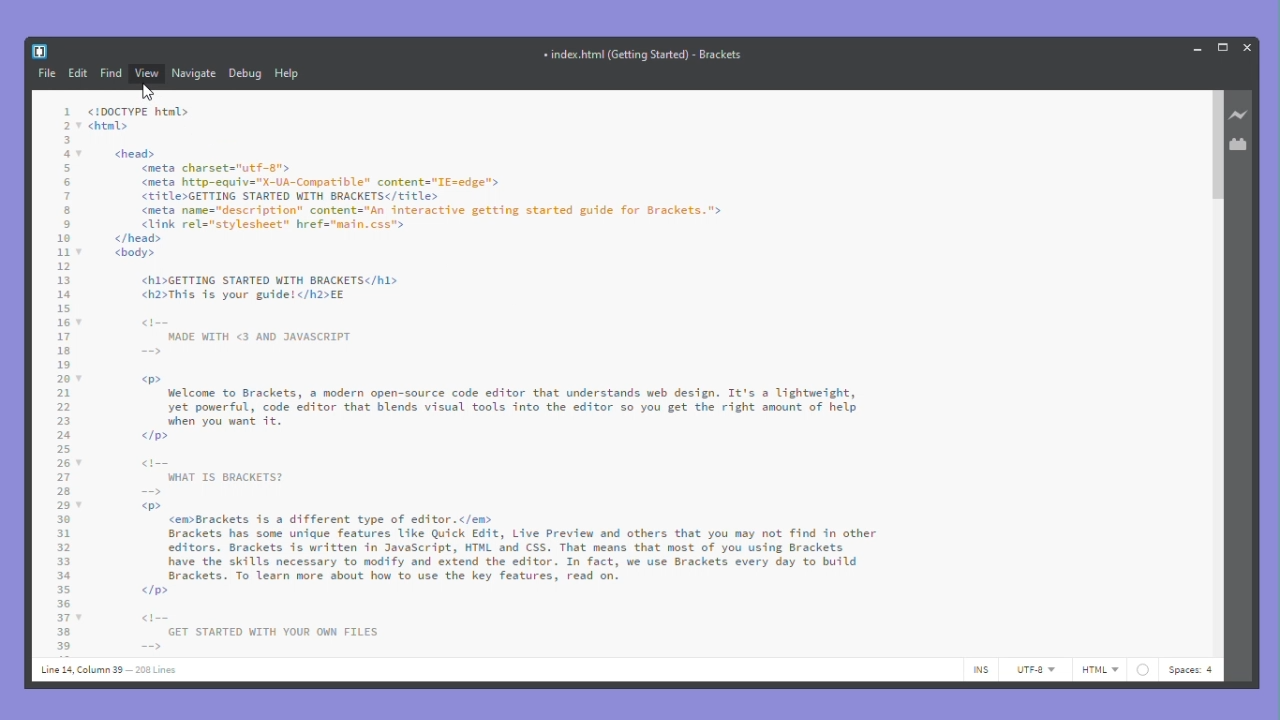  What do you see at coordinates (79, 617) in the screenshot?
I see `code fold` at bounding box center [79, 617].